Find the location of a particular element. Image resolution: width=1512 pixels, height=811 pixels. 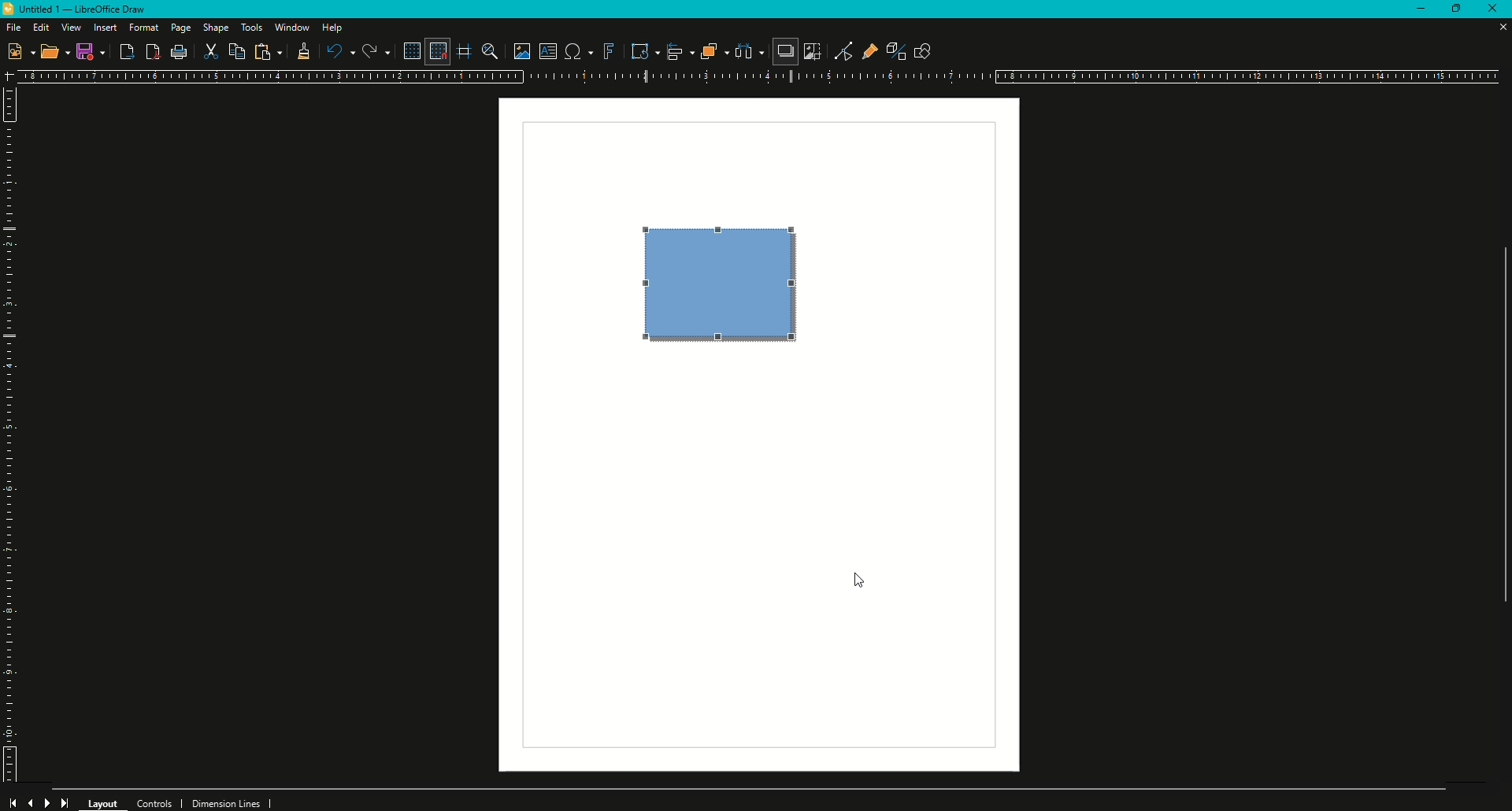

New is located at coordinates (20, 50).